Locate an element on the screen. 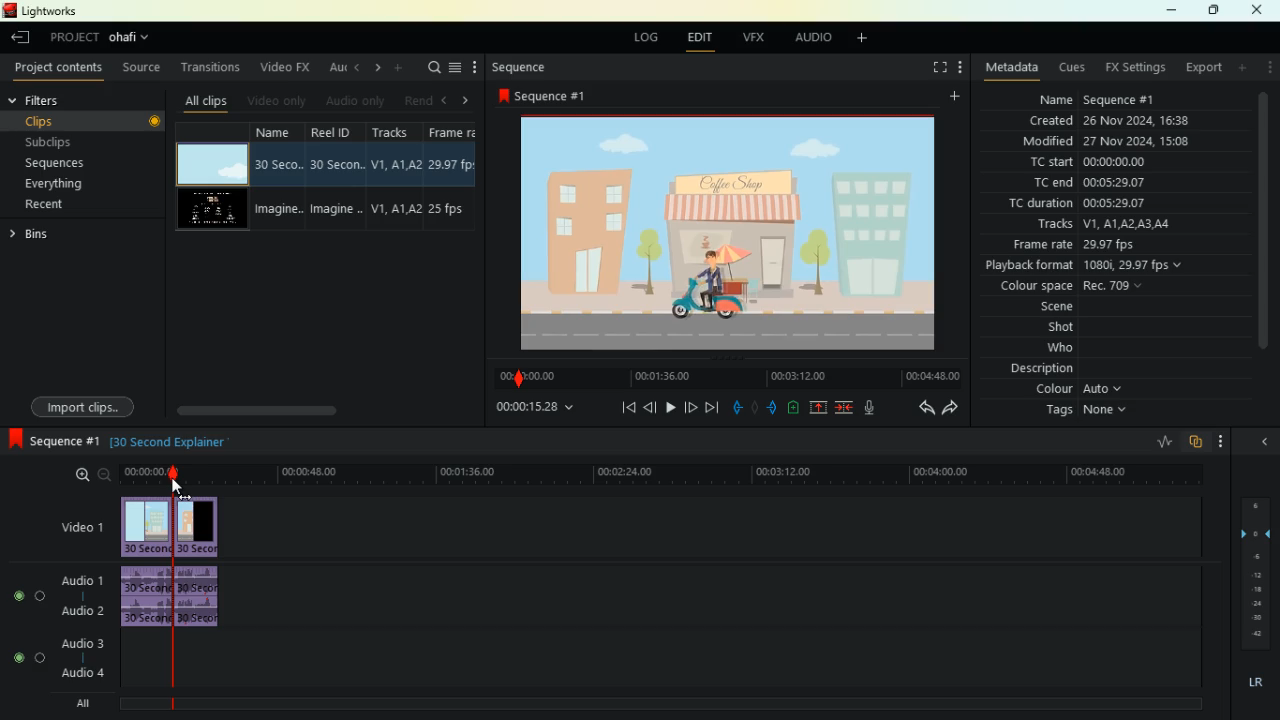  forward is located at coordinates (693, 407).